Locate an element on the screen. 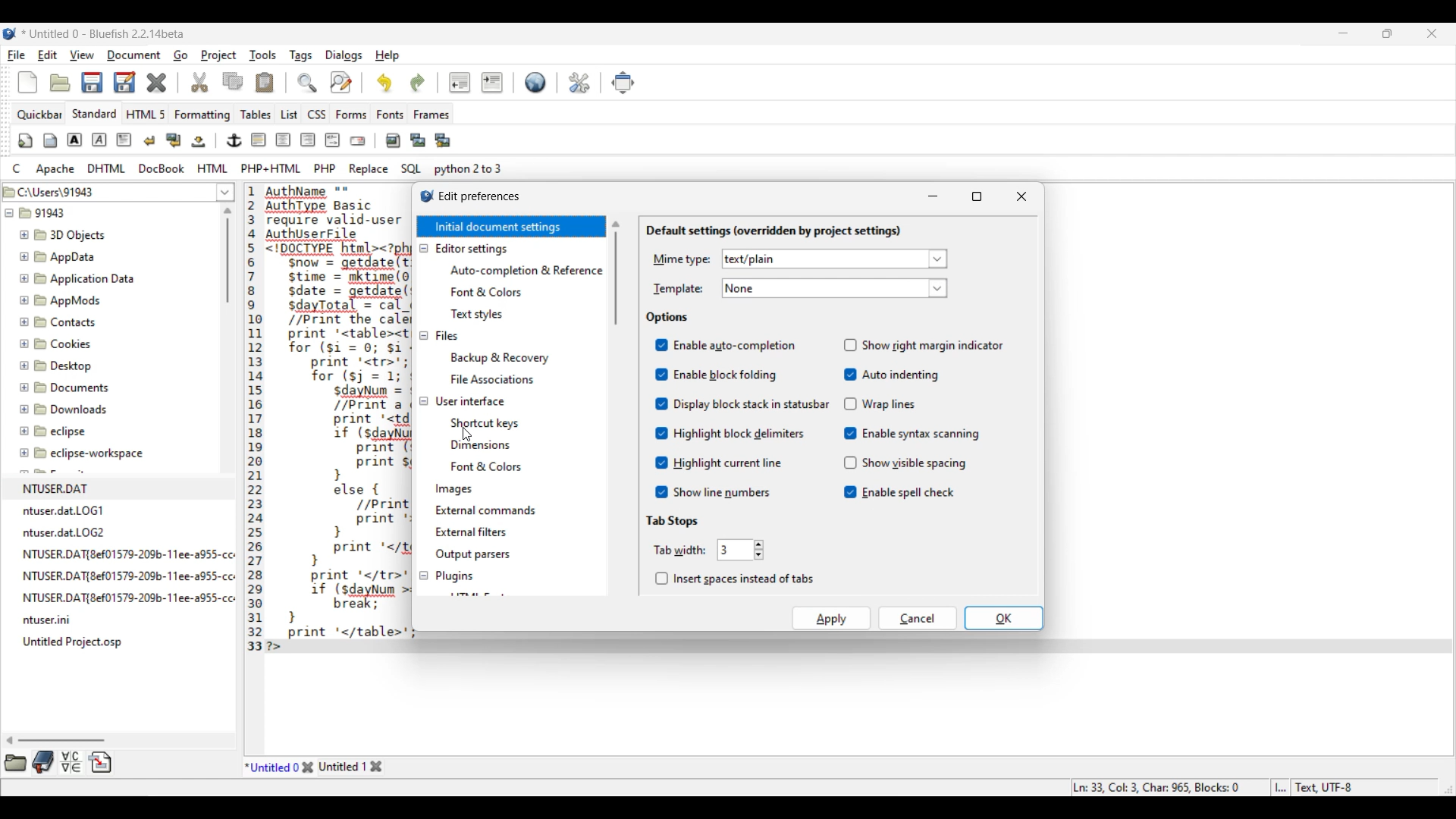  File options is located at coordinates (226, 193).